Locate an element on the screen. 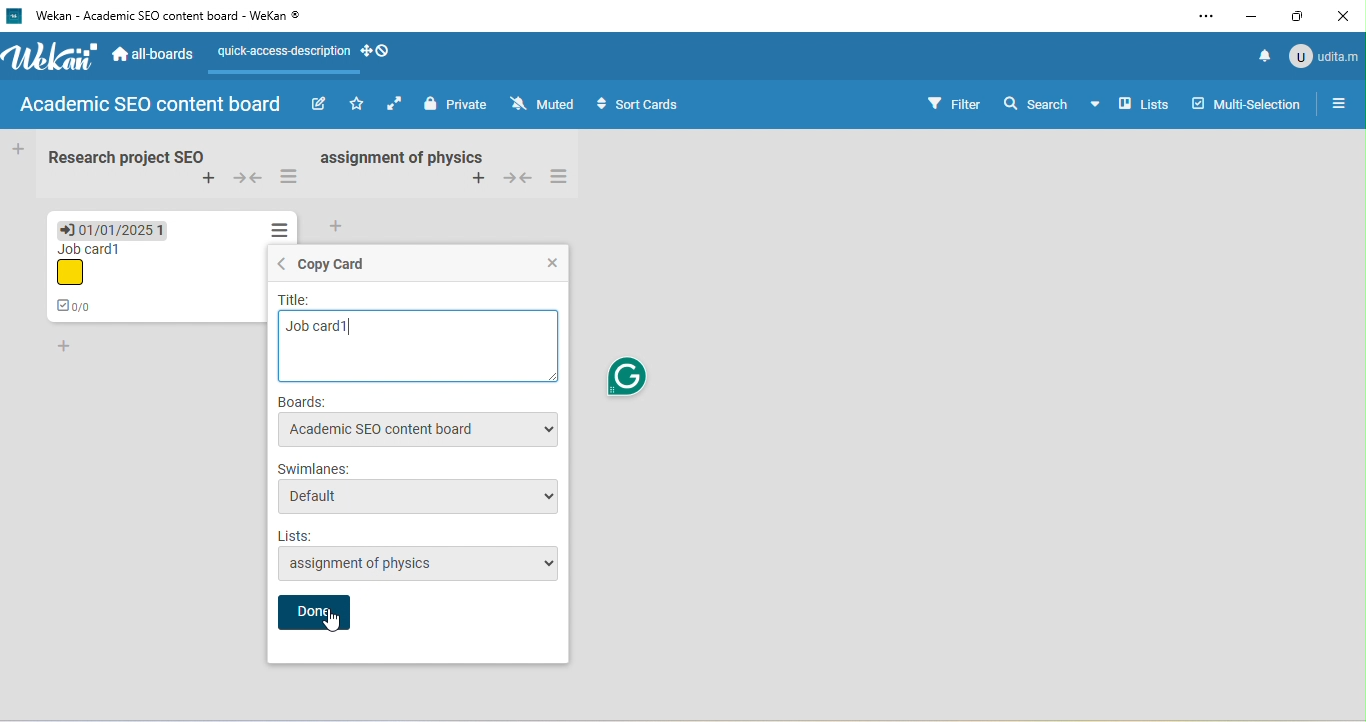 The width and height of the screenshot is (1366, 722). research project seo is located at coordinates (123, 156).